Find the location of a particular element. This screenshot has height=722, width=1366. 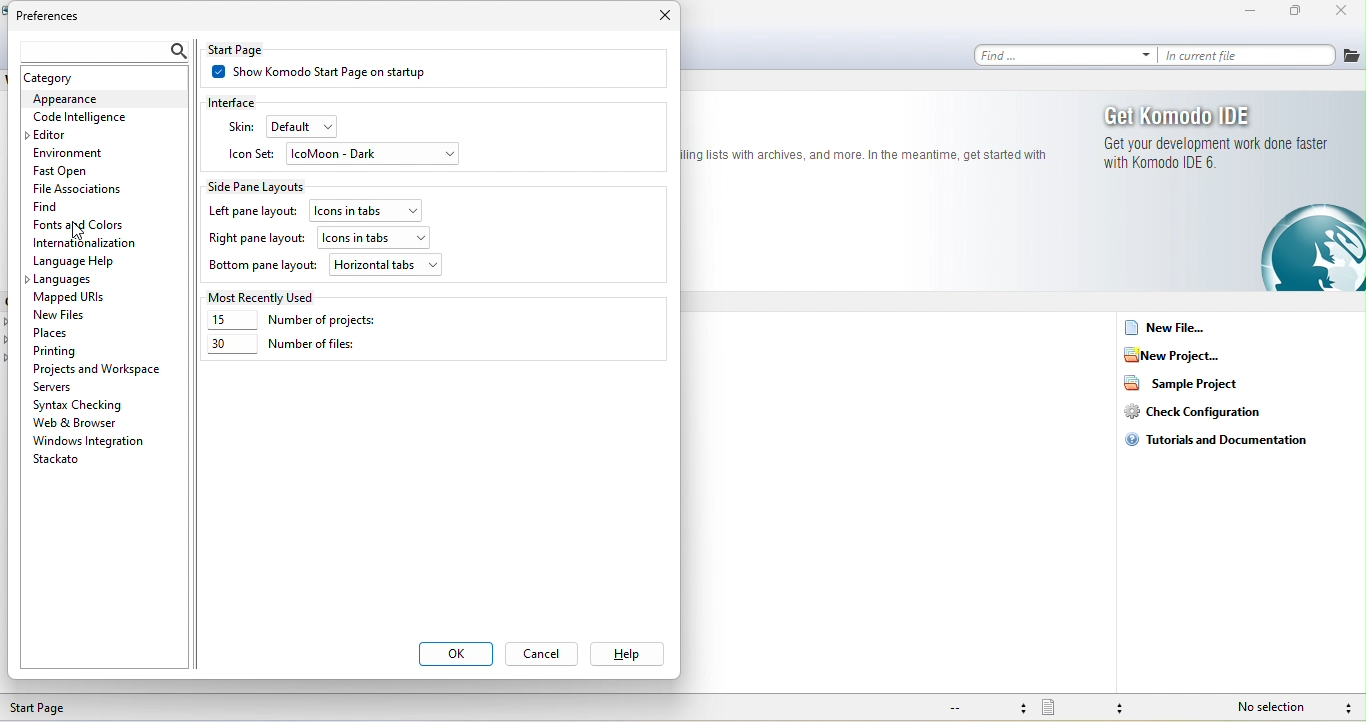

syntax checking is located at coordinates (82, 405).